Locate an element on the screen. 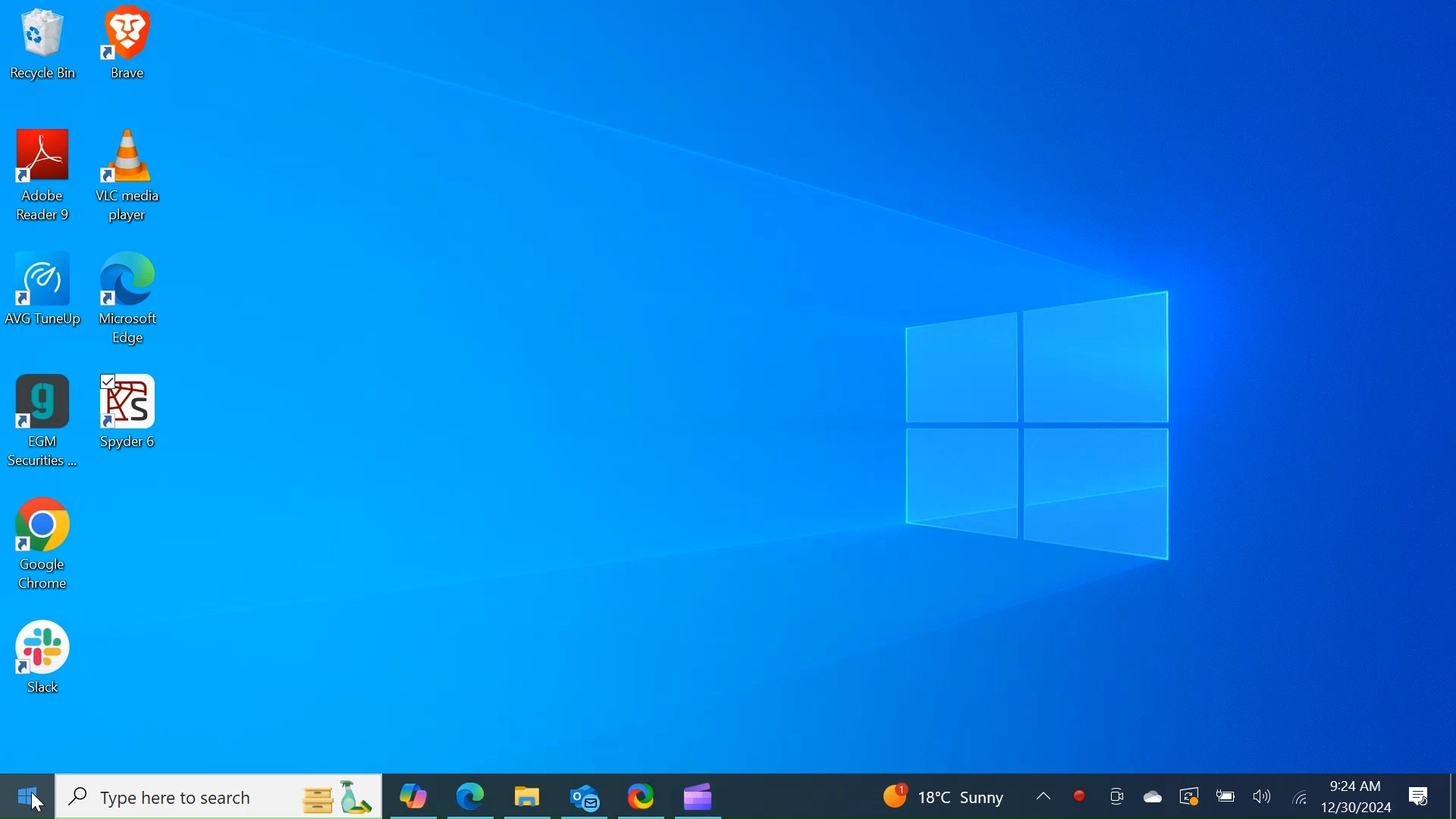 The width and height of the screenshot is (1456, 819). Microsoft Edge Desktop Icon is located at coordinates (133, 304).